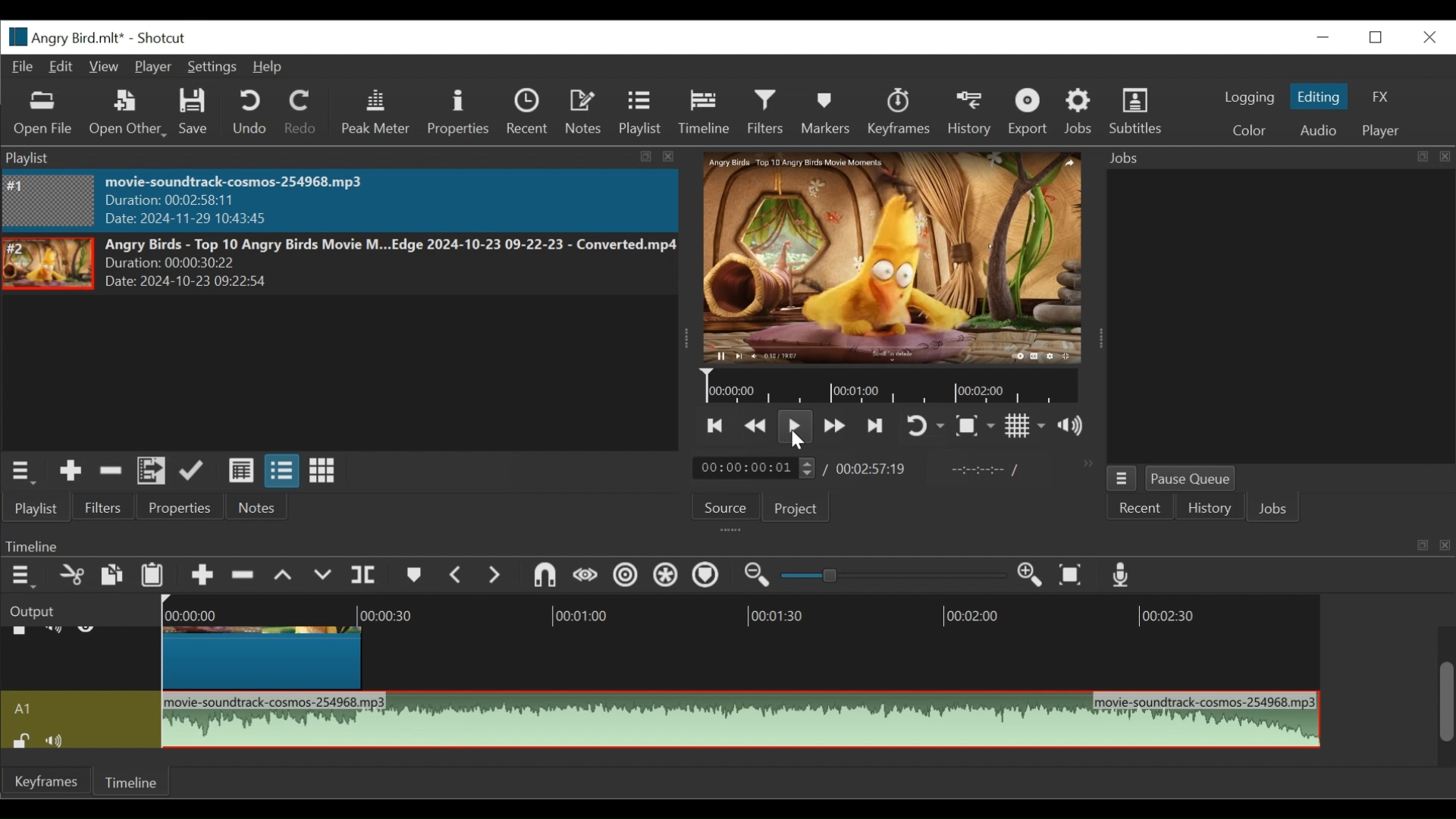 The image size is (1456, 819). Describe the element at coordinates (583, 576) in the screenshot. I see `Scrub while dragging` at that location.